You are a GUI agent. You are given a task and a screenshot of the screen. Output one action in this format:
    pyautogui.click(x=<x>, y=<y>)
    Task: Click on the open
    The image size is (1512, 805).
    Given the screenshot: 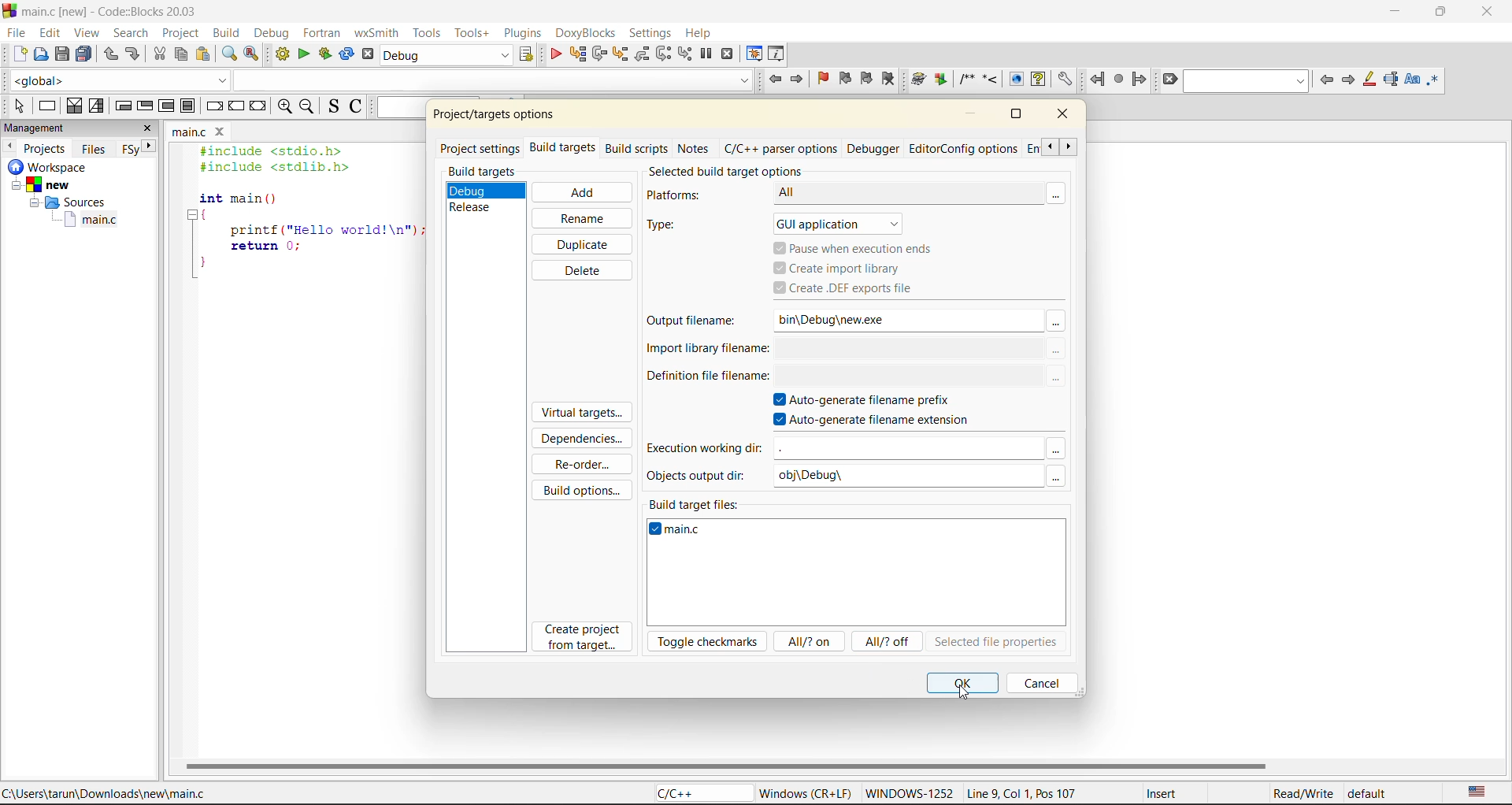 What is the action you would take?
    pyautogui.click(x=42, y=54)
    